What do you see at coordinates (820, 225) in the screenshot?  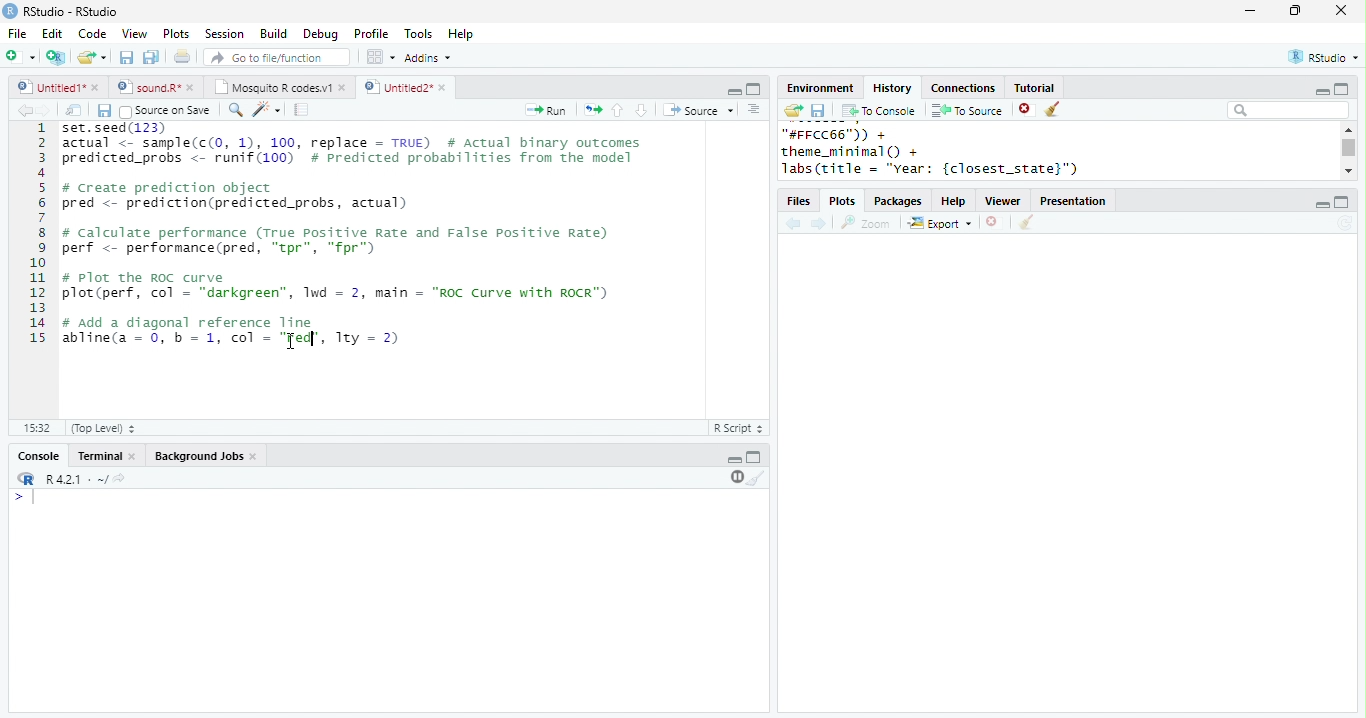 I see `forward` at bounding box center [820, 225].